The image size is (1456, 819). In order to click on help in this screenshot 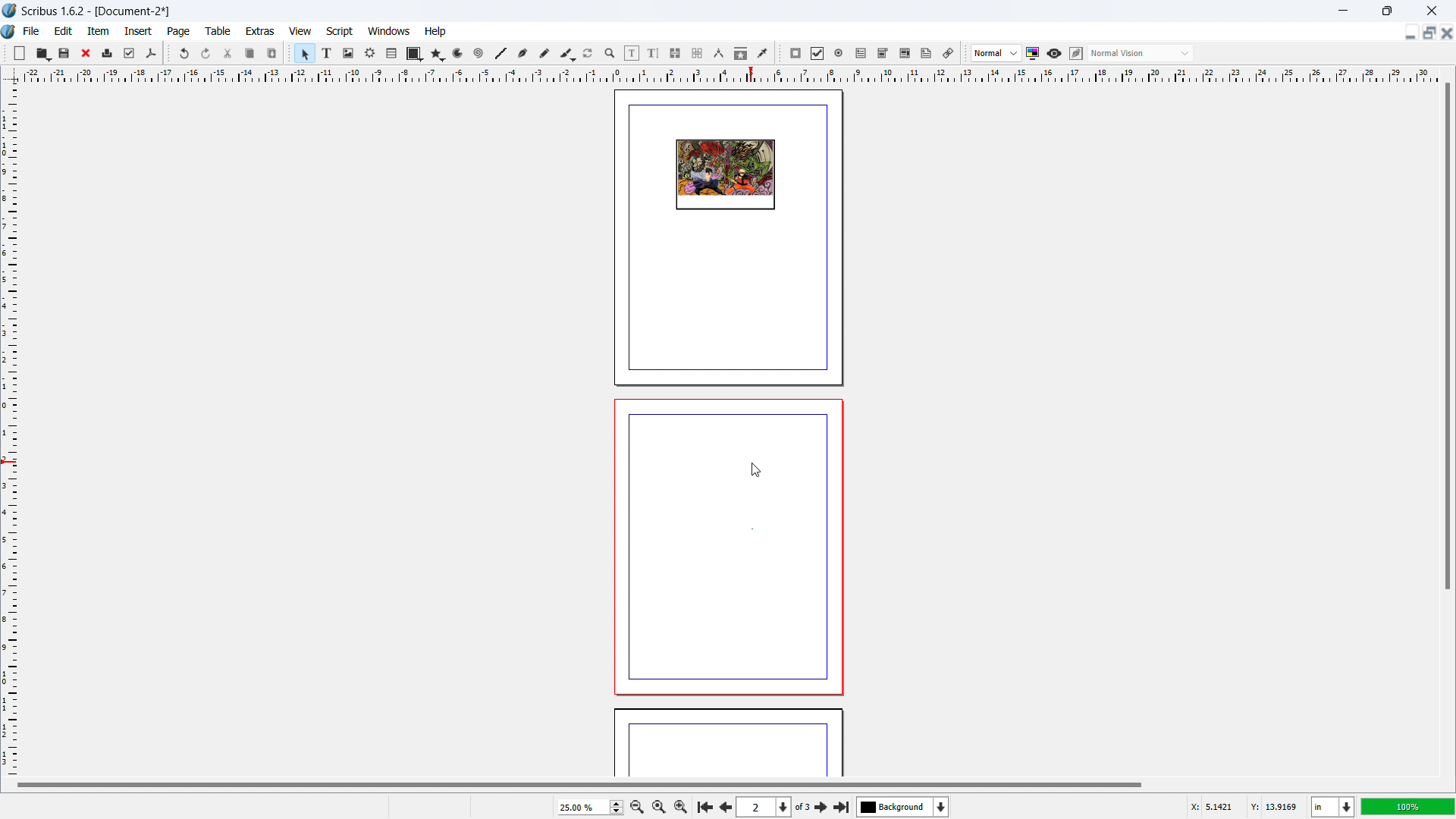, I will do `click(436, 32)`.